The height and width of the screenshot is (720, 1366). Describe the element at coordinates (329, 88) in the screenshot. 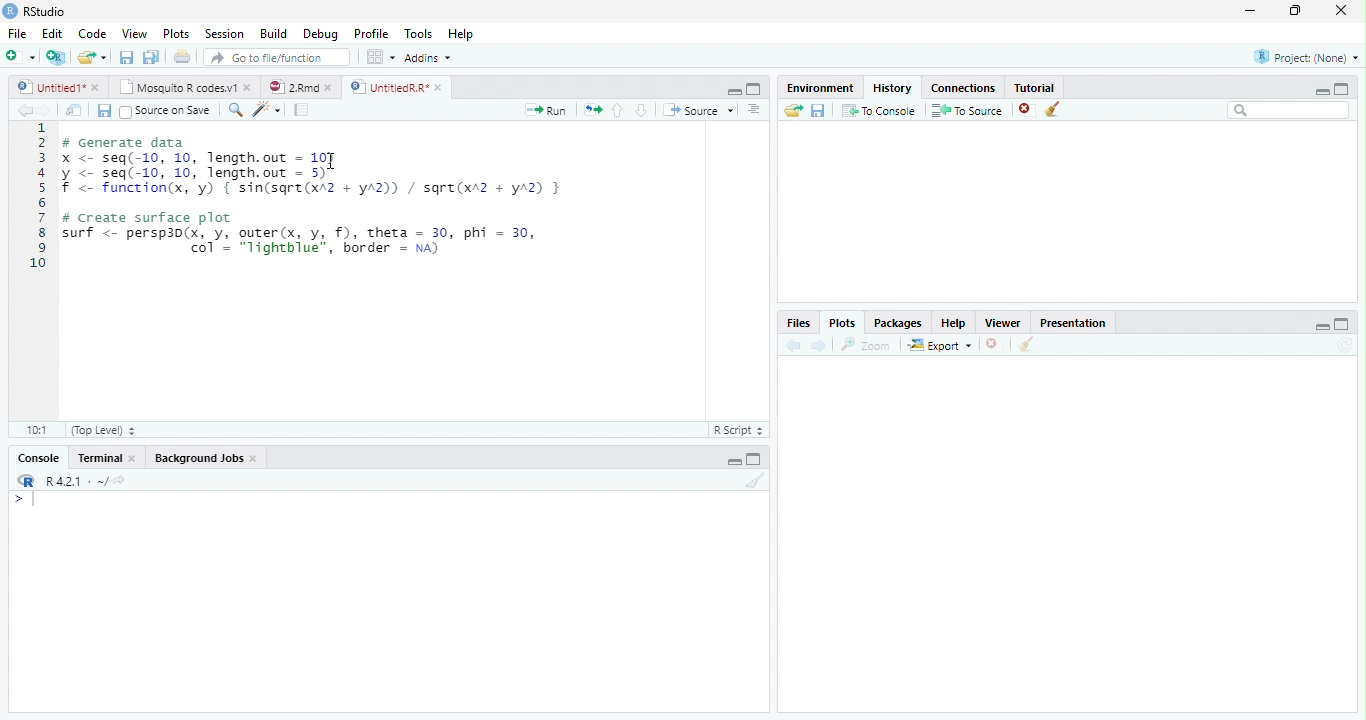

I see `close` at that location.